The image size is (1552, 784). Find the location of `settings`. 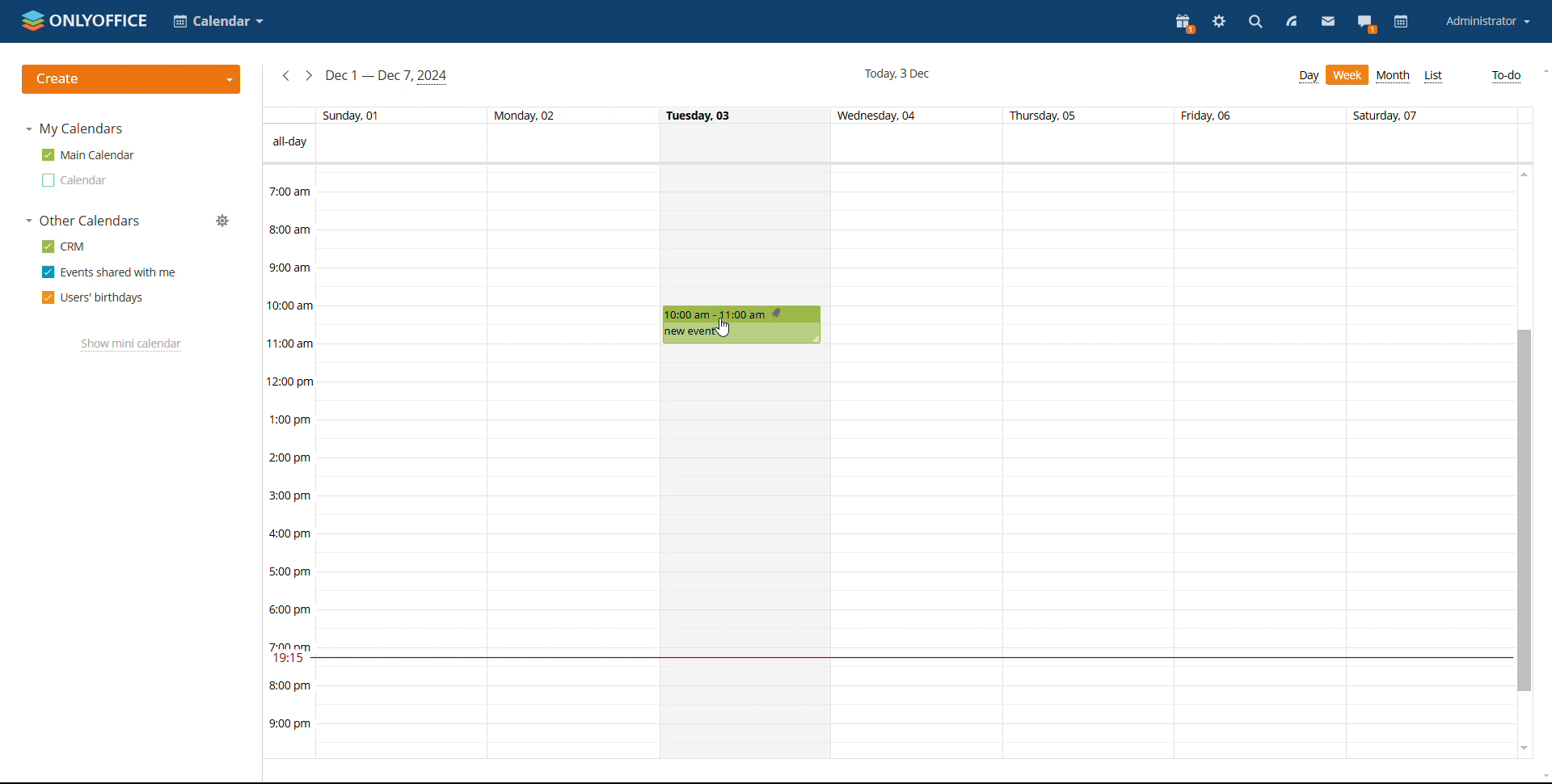

settings is located at coordinates (1221, 22).